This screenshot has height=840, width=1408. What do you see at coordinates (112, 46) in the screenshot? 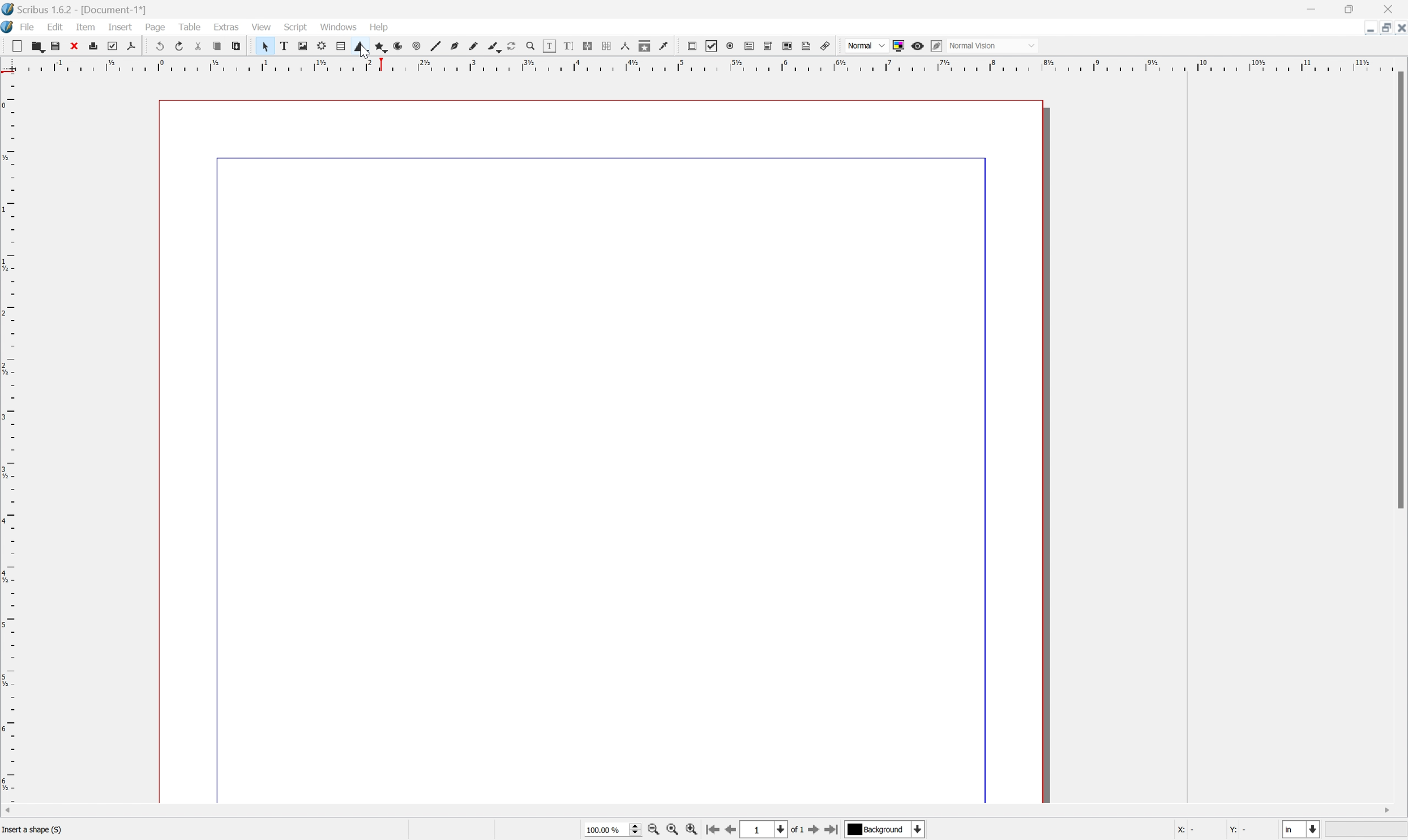
I see `Preflight verifier` at bounding box center [112, 46].